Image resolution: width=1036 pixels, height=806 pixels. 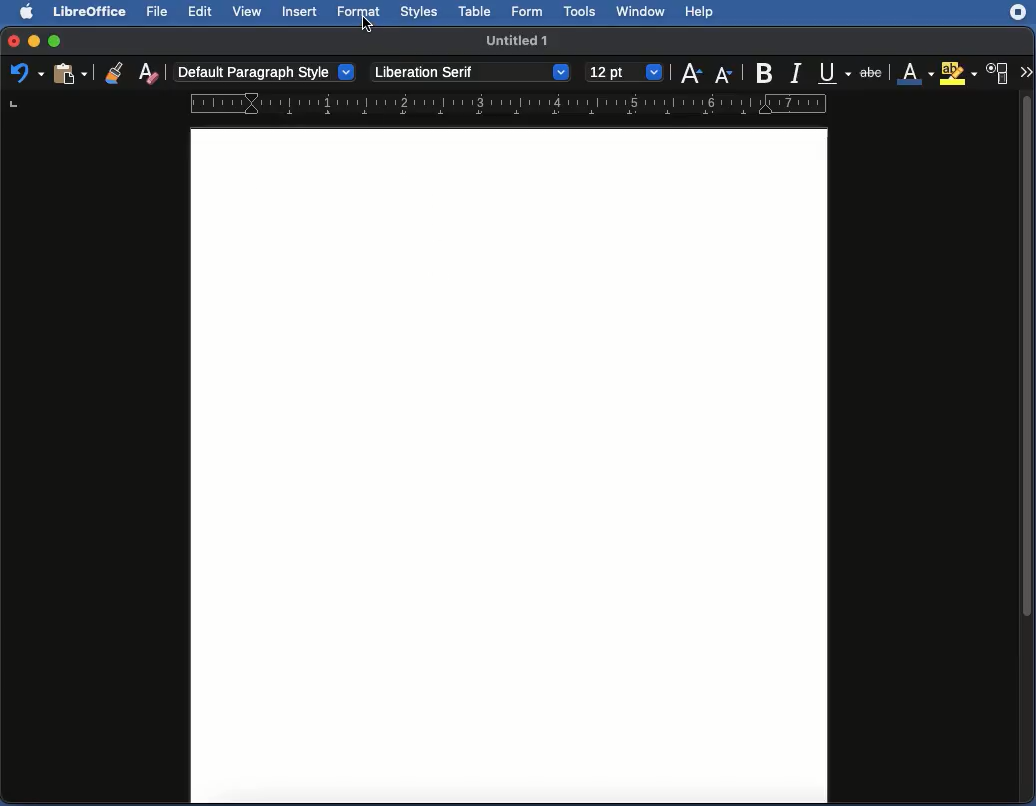 I want to click on Apple logo, so click(x=29, y=12).